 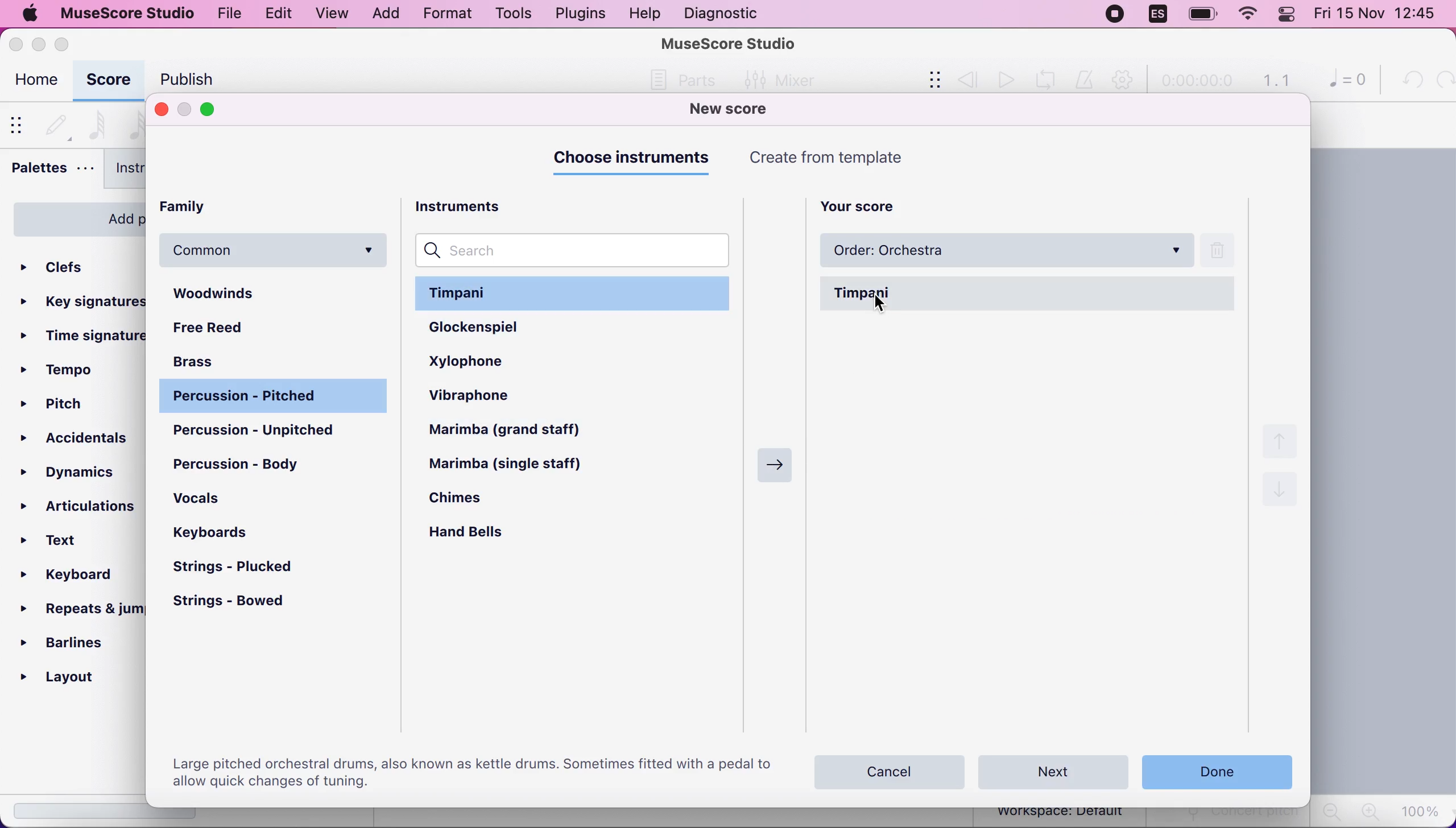 What do you see at coordinates (771, 462) in the screenshot?
I see `Right` at bounding box center [771, 462].